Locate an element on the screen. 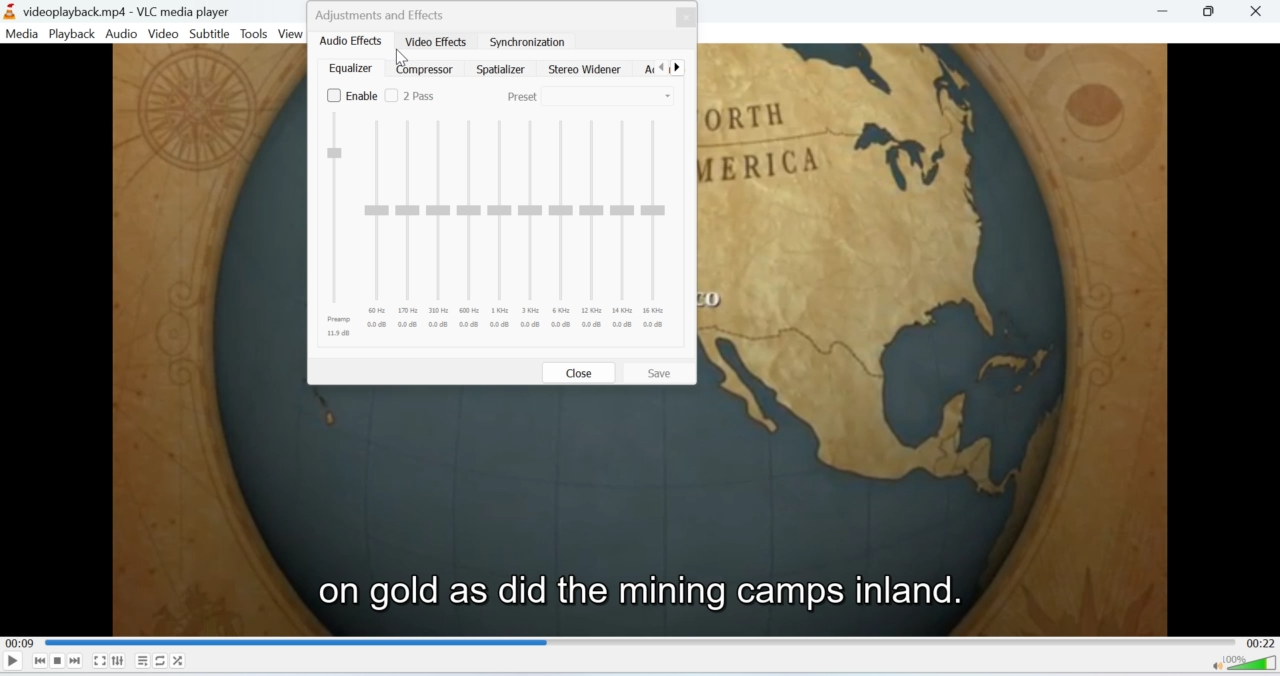  videoplayback.mp4  - vlc media player is located at coordinates (119, 10).